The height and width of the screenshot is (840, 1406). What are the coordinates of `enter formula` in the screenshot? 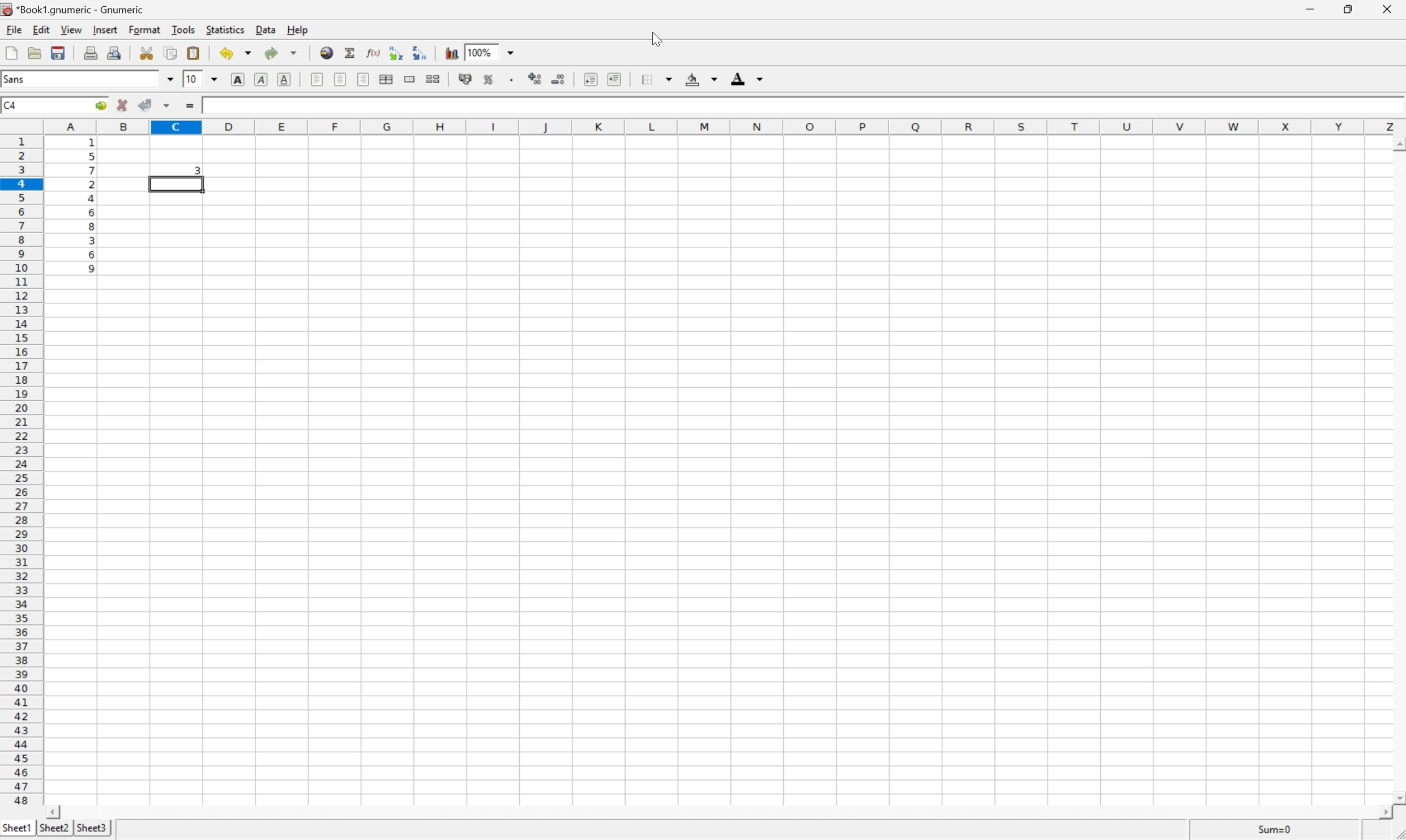 It's located at (193, 106).